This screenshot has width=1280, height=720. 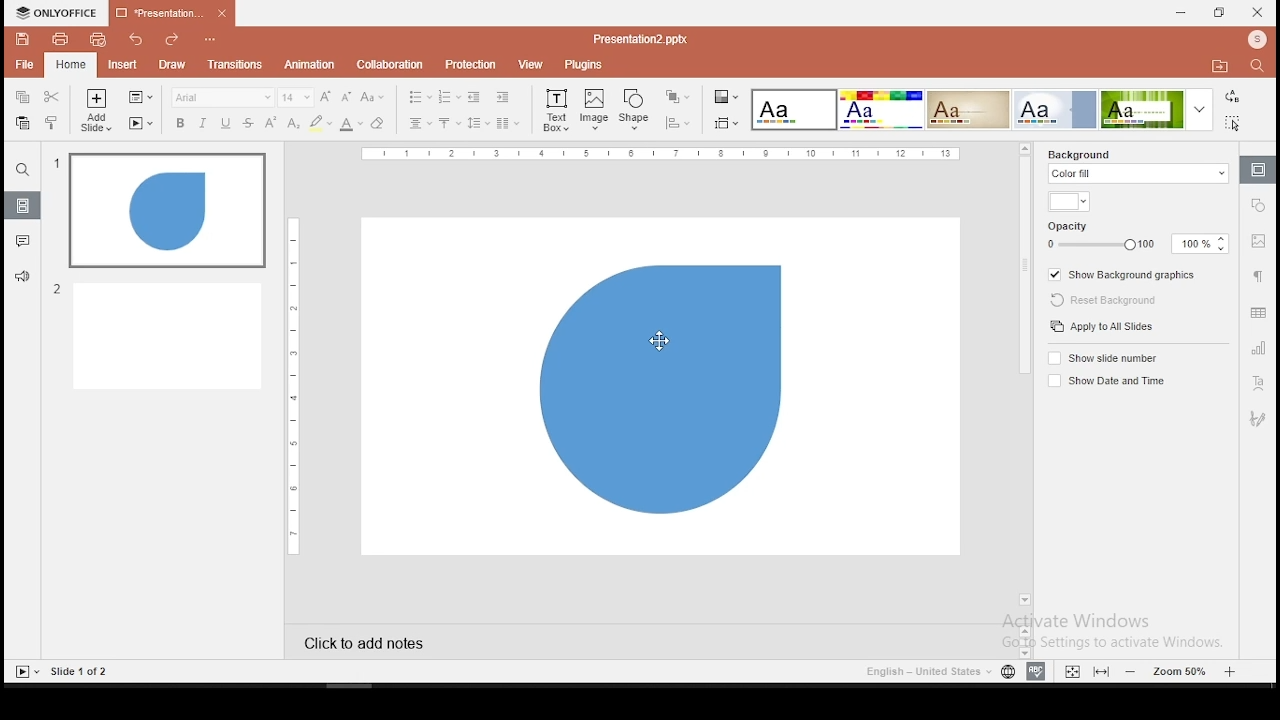 I want to click on collaboration, so click(x=389, y=65).